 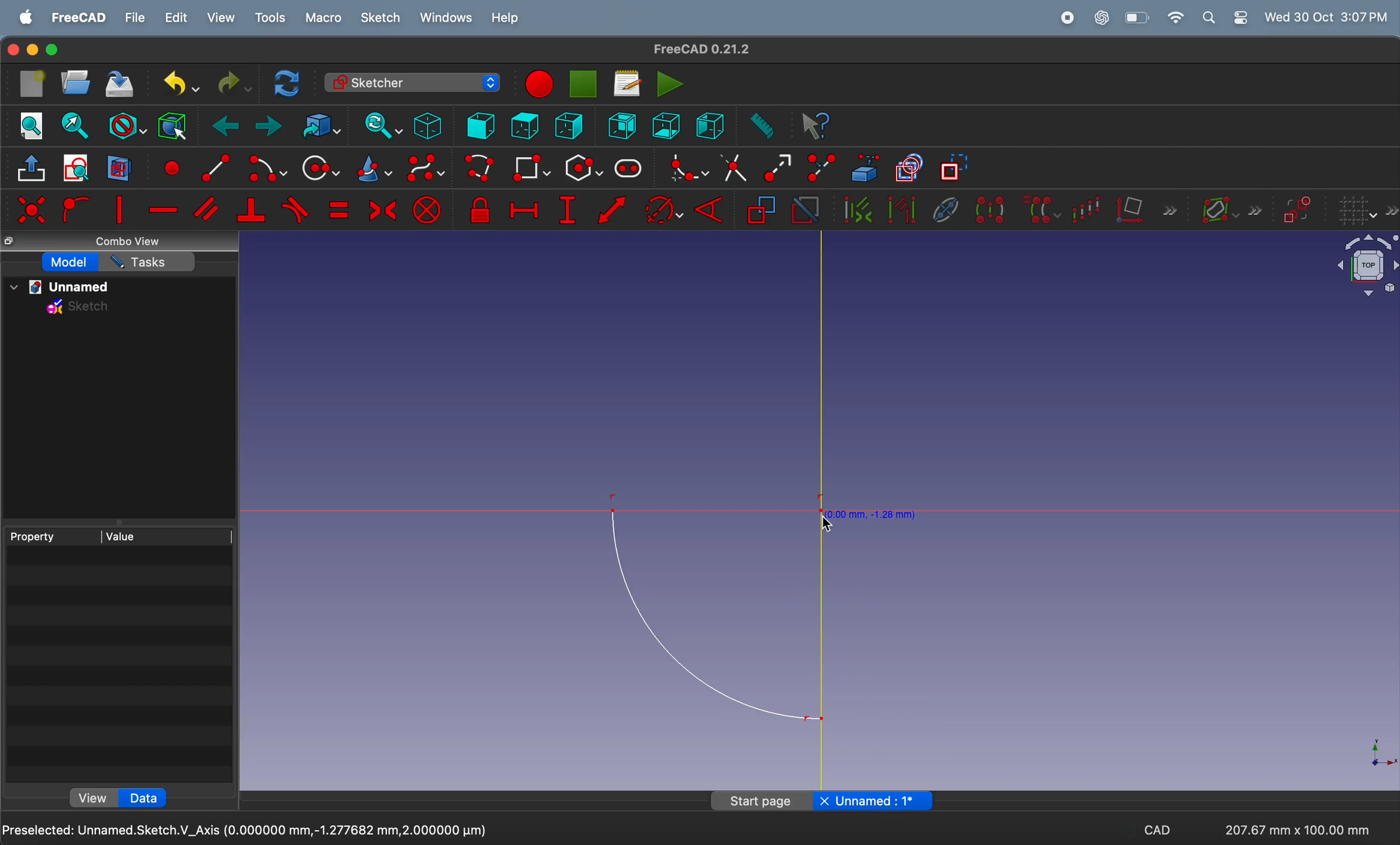 What do you see at coordinates (74, 126) in the screenshot?
I see `fit section` at bounding box center [74, 126].